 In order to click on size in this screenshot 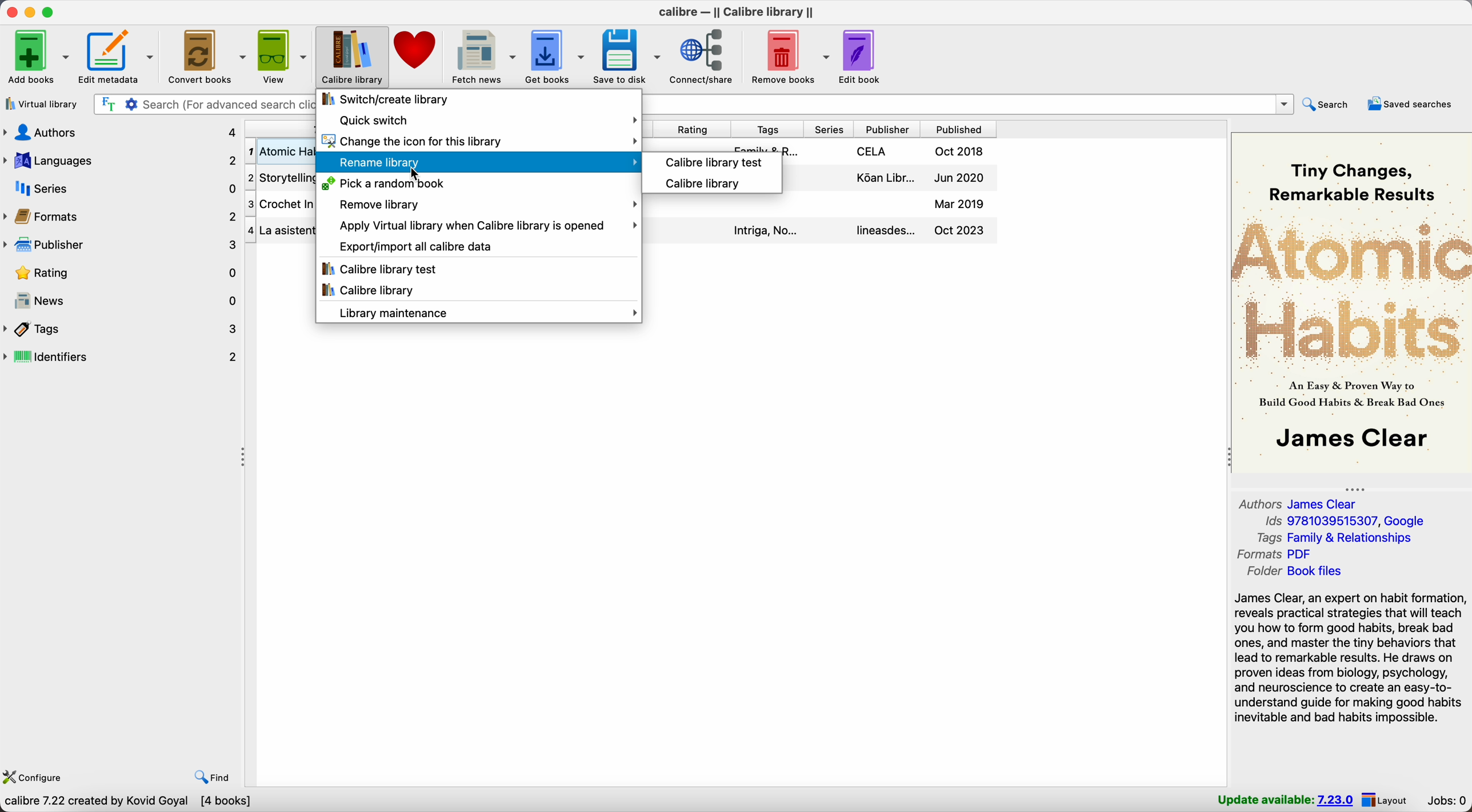, I will do `click(654, 128)`.